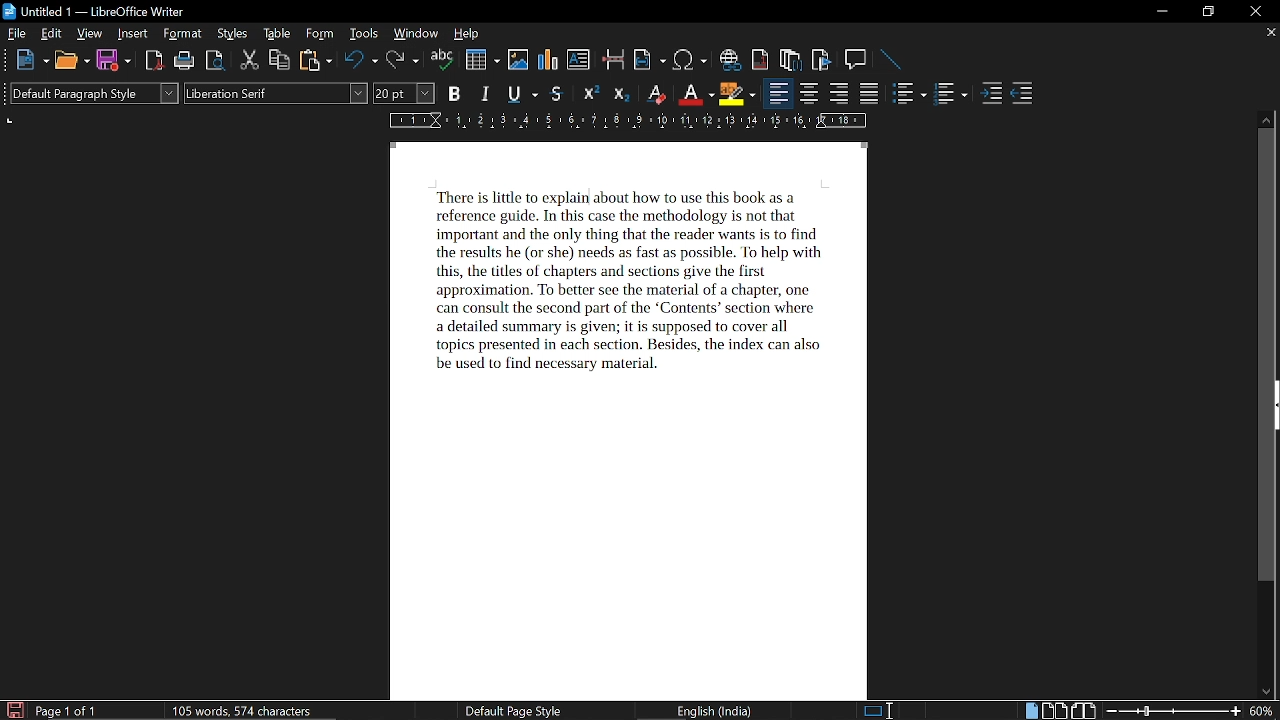 The image size is (1280, 720). What do you see at coordinates (67, 711) in the screenshot?
I see `page 1 of 1` at bounding box center [67, 711].